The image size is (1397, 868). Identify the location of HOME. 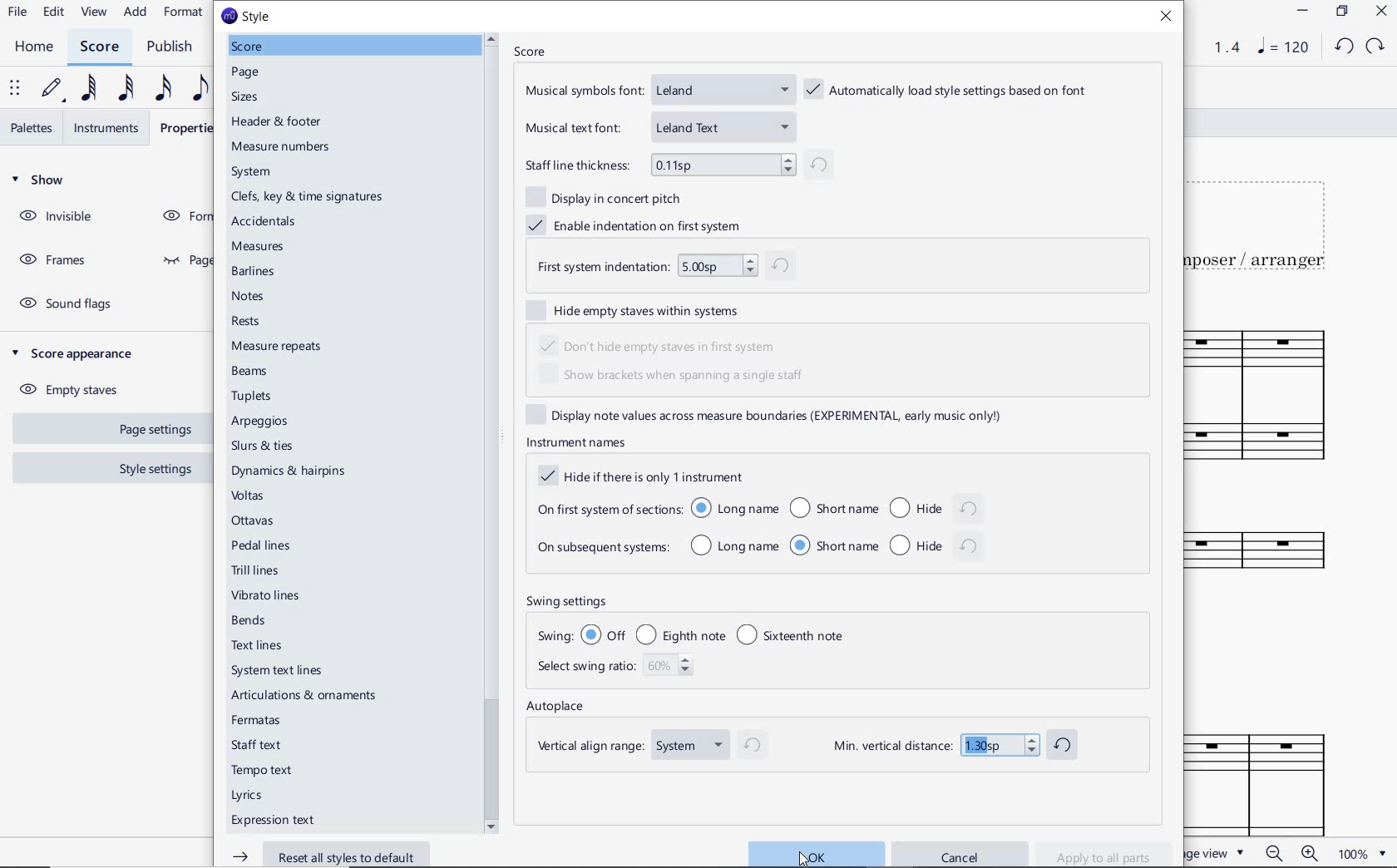
(33, 47).